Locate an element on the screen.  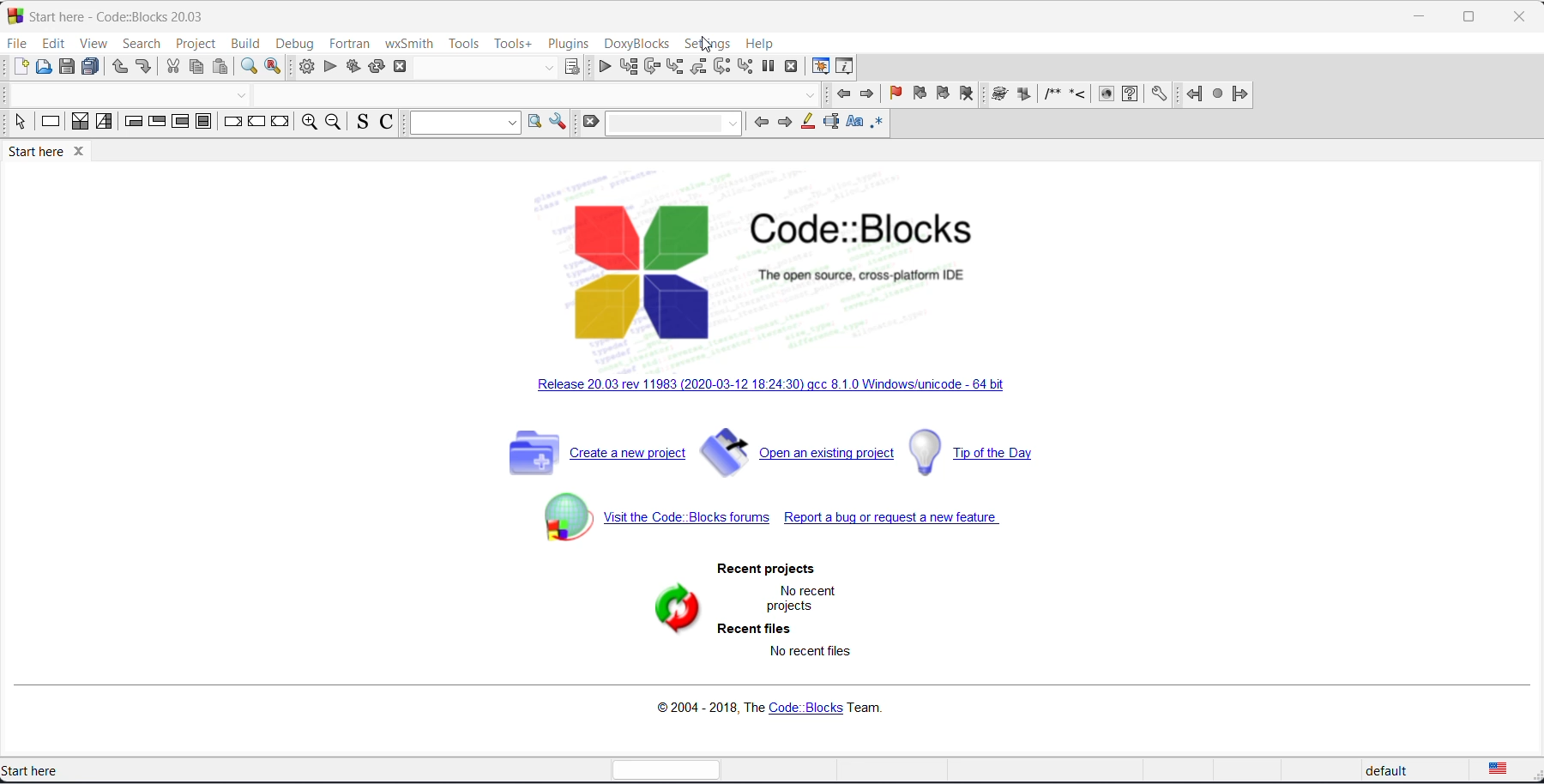
fortran is located at coordinates (352, 43).